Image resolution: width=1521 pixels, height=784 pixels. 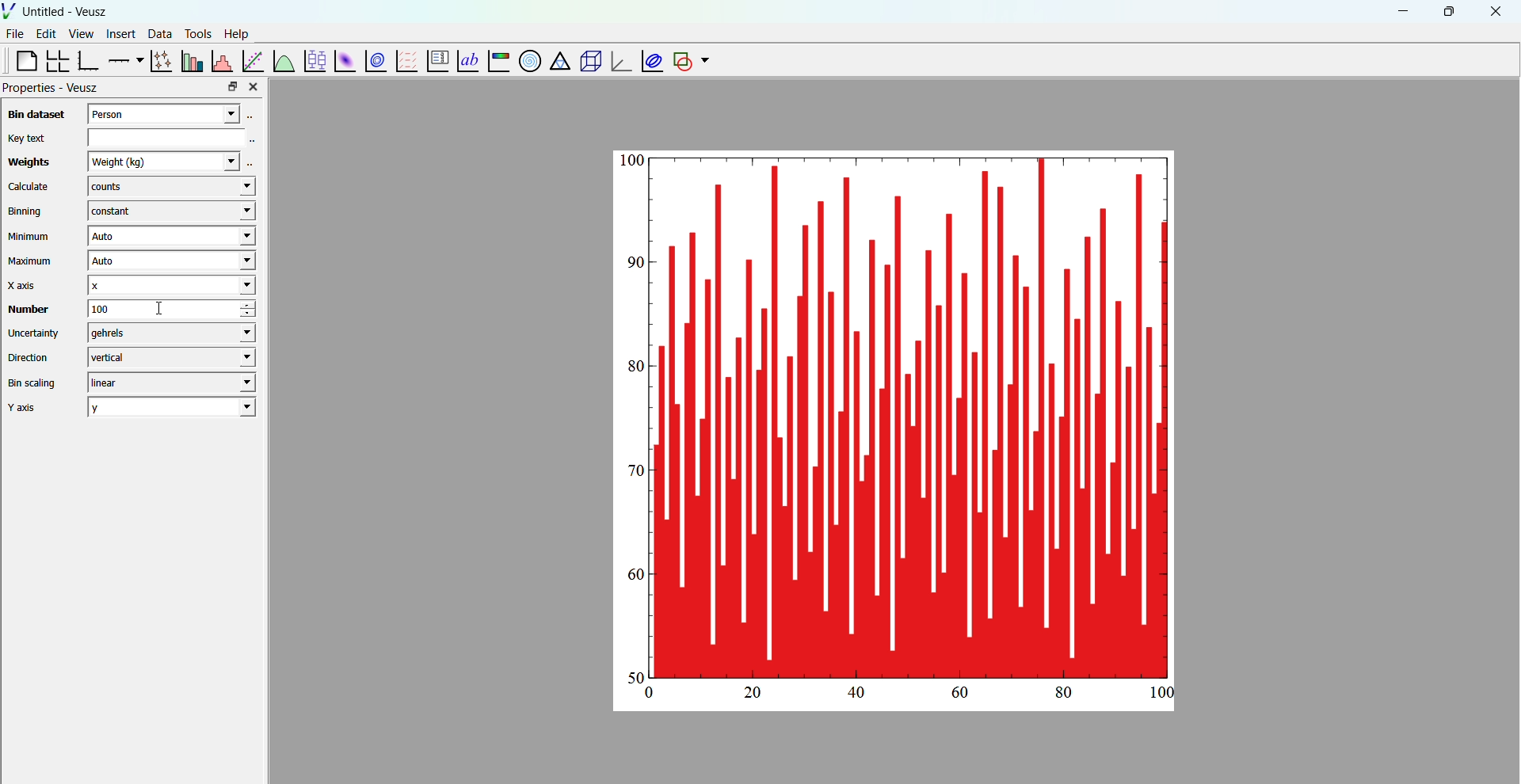 What do you see at coordinates (67, 12) in the screenshot?
I see `Untitled - Veusz` at bounding box center [67, 12].